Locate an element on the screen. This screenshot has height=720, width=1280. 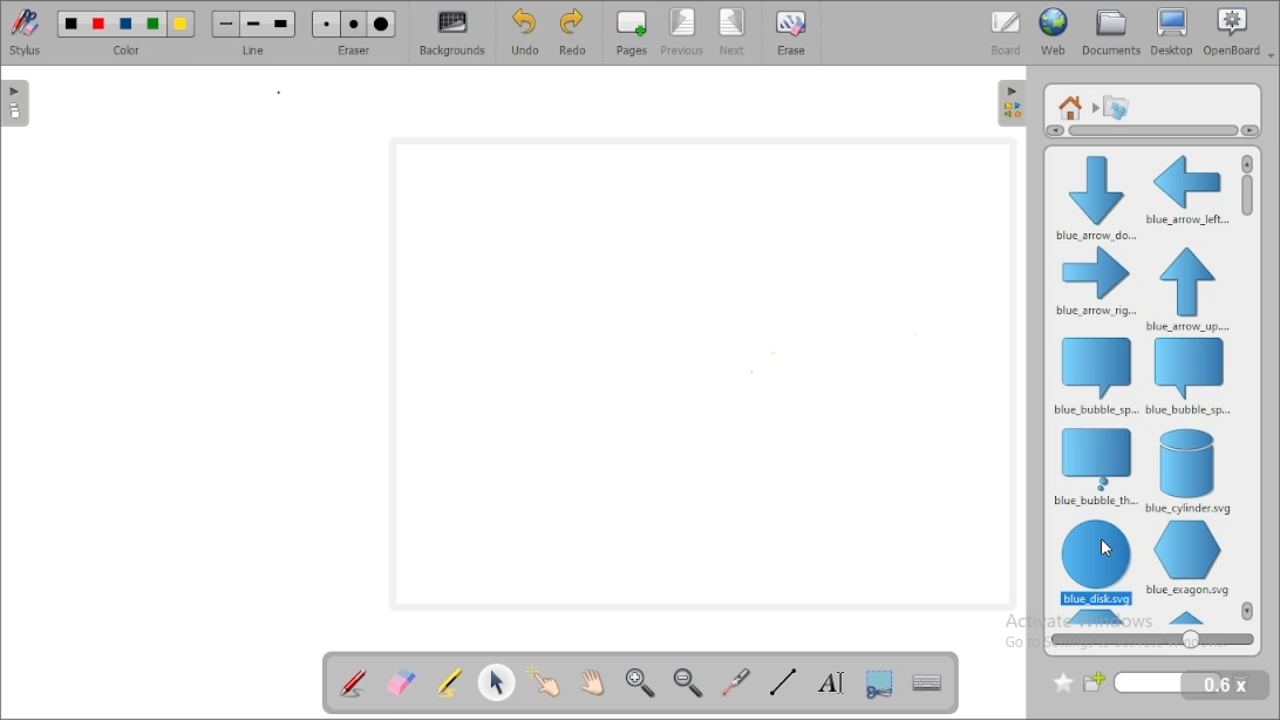
zoom in & out of shapes is located at coordinates (1152, 639).